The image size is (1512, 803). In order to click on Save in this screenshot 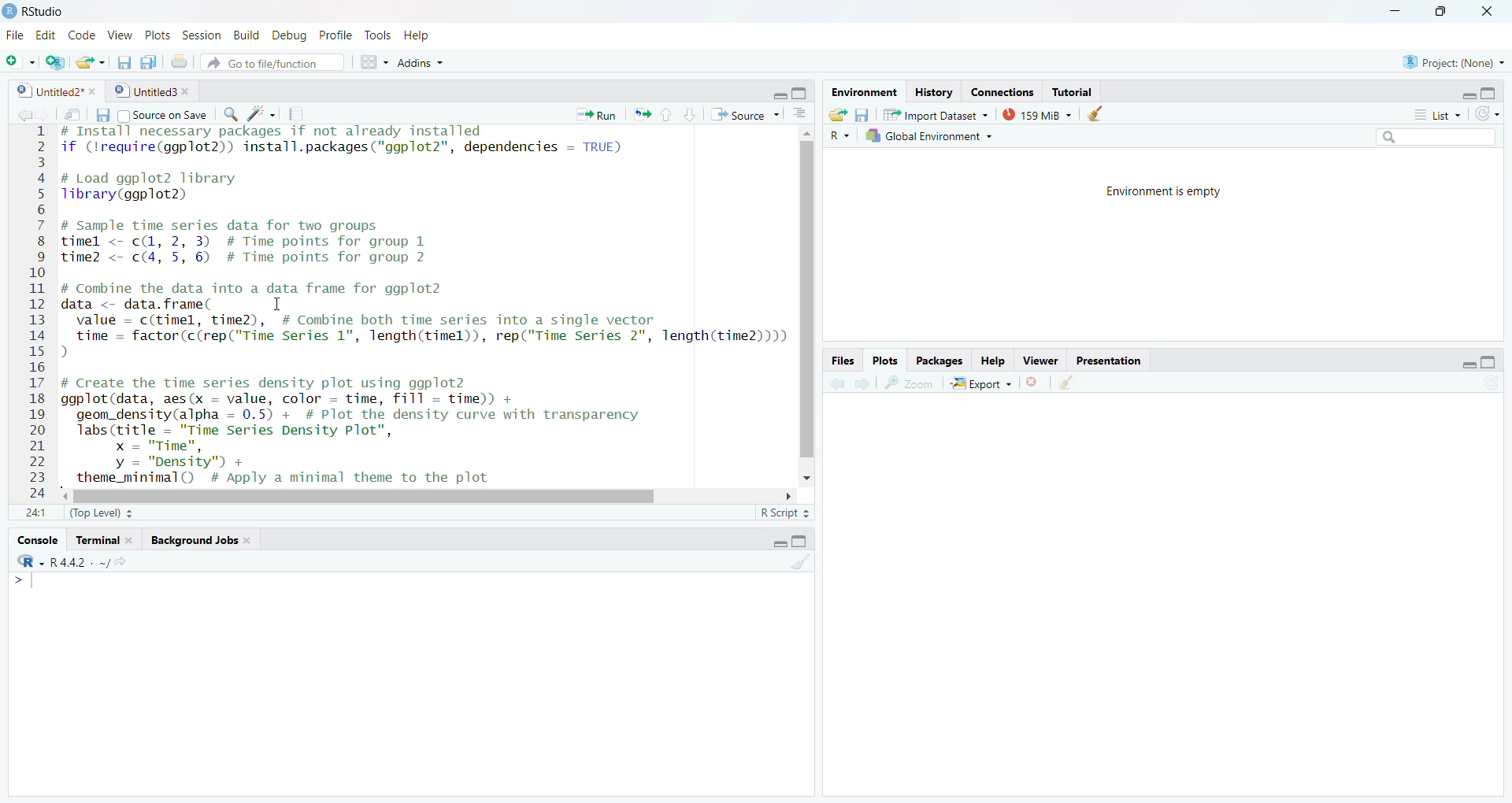, I will do `click(861, 115)`.